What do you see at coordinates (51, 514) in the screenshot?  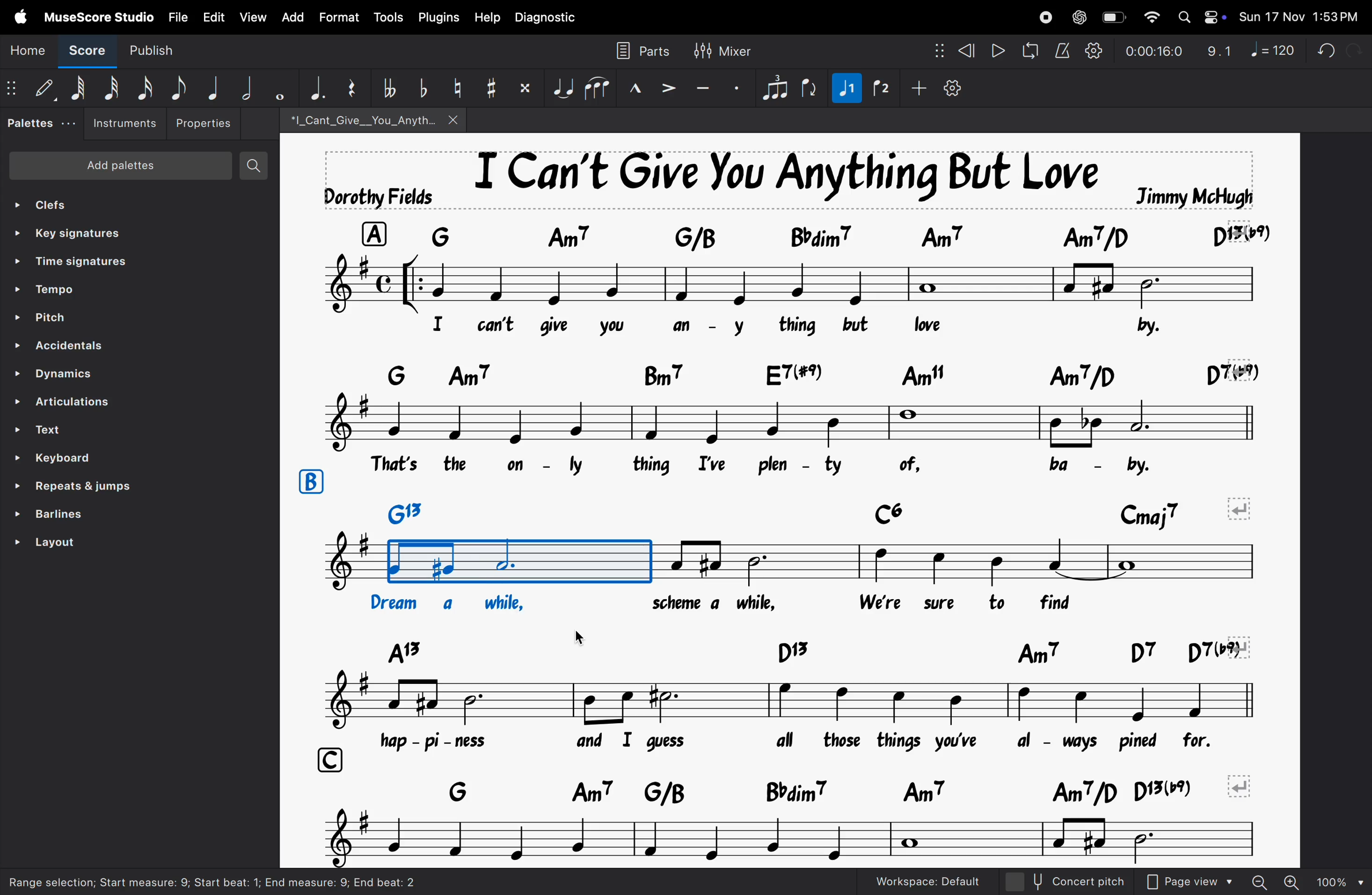 I see `barlines` at bounding box center [51, 514].